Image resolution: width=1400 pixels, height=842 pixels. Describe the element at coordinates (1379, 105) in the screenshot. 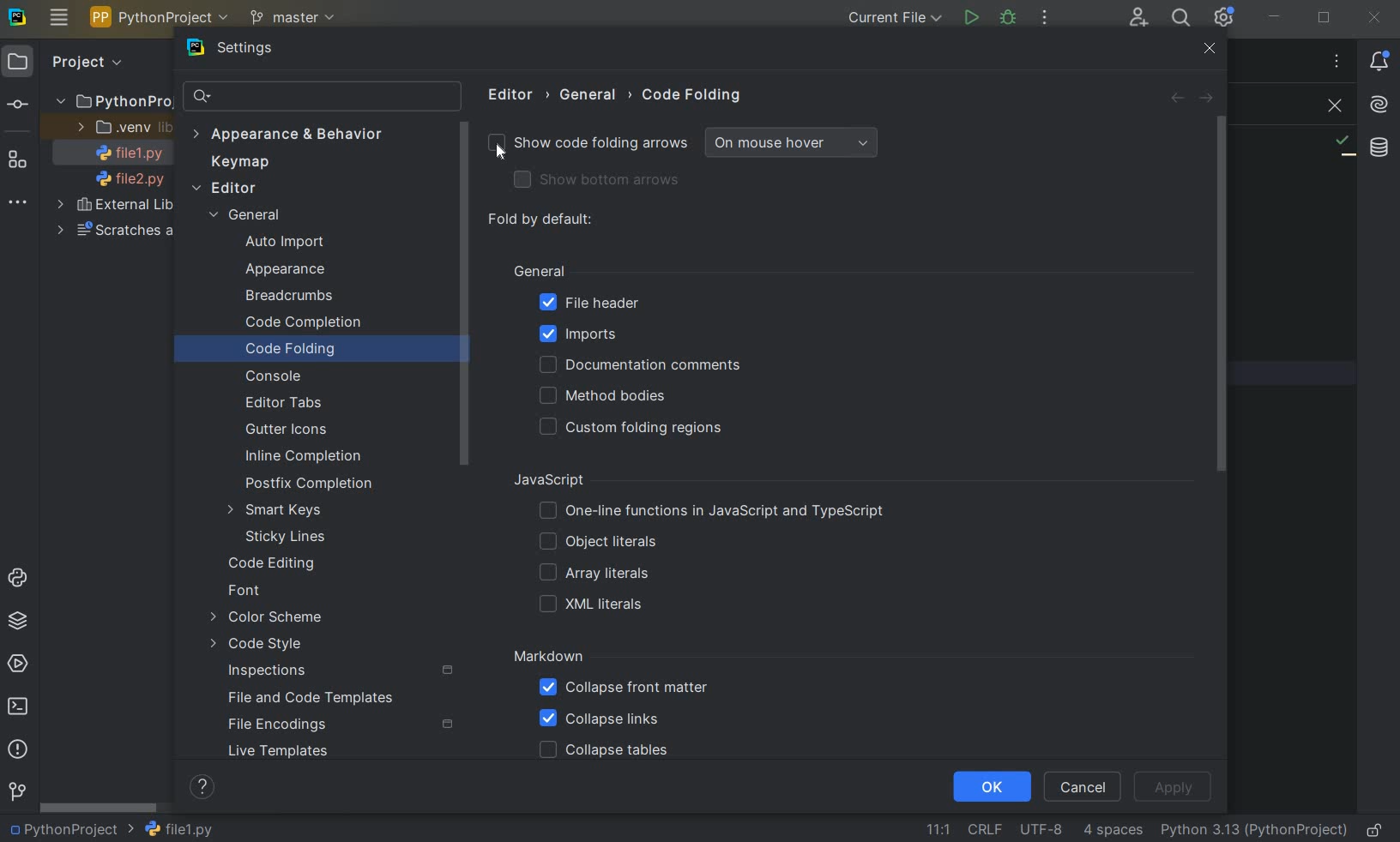

I see `AI ASSISTANT` at that location.